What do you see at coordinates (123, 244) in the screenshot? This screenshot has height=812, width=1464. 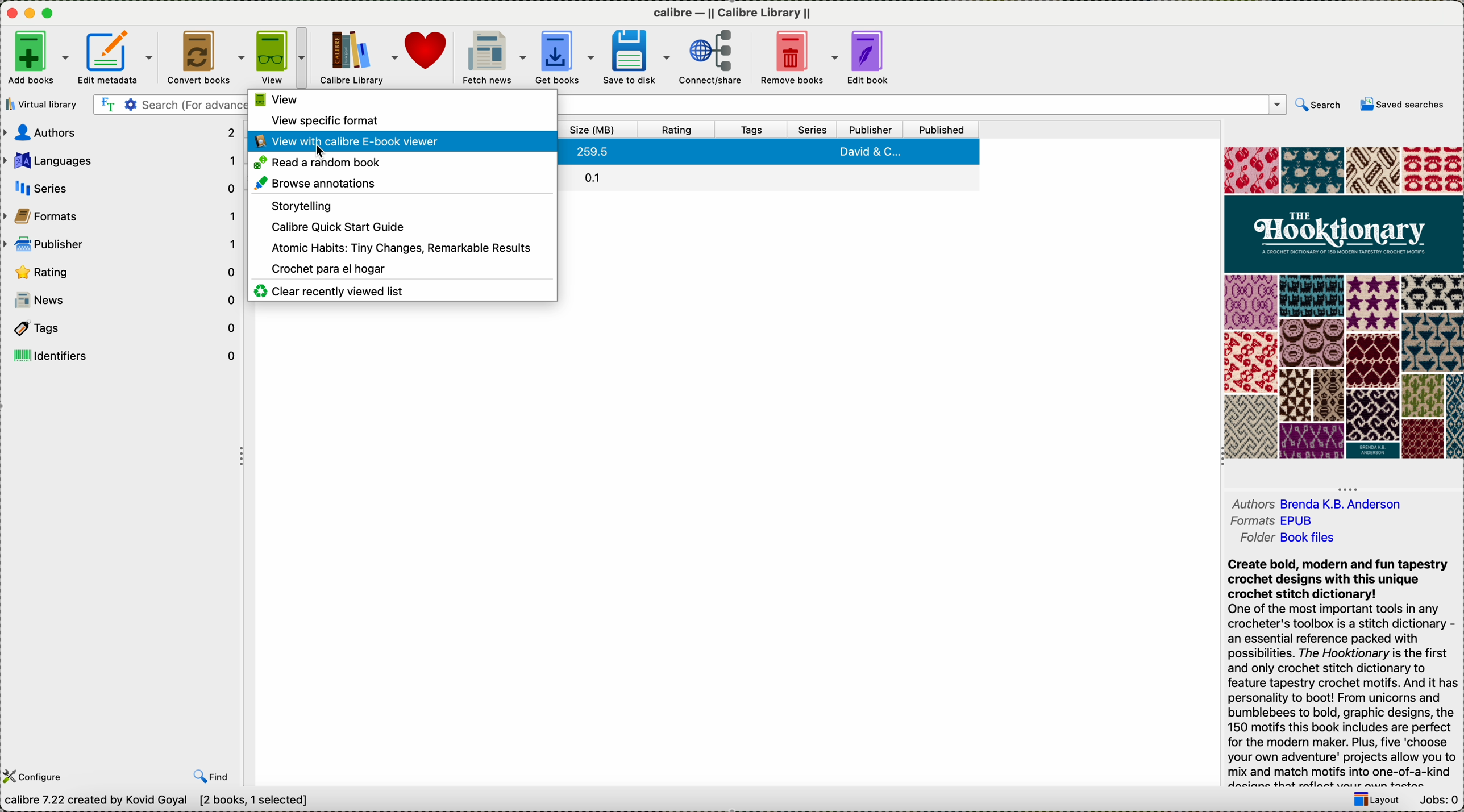 I see `publisher` at bounding box center [123, 244].